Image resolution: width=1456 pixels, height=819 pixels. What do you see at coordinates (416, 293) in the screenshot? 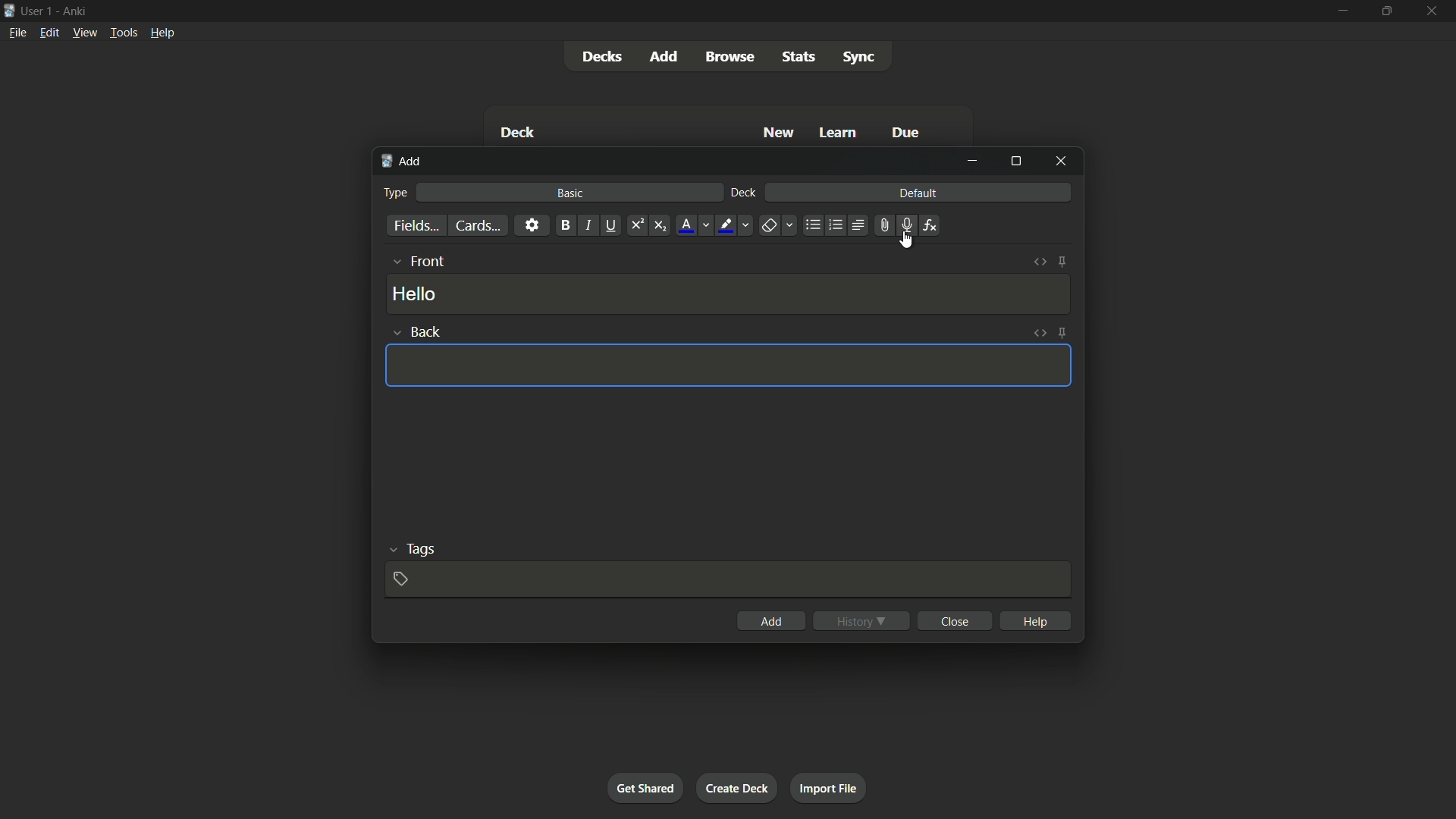
I see `hello` at bounding box center [416, 293].